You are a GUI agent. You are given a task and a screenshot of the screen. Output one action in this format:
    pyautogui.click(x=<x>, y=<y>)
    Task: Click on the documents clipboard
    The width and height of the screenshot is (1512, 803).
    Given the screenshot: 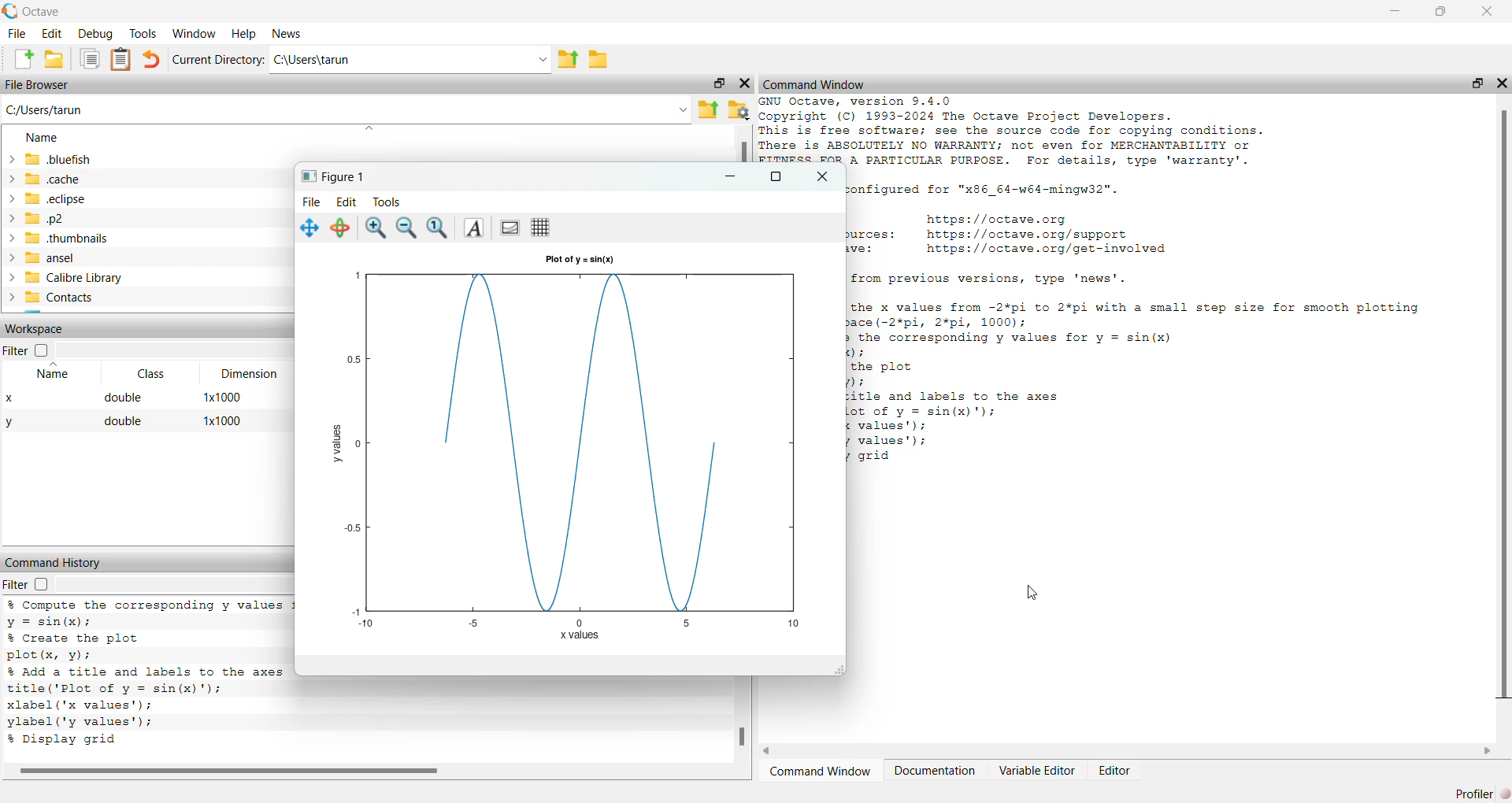 What is the action you would take?
    pyautogui.click(x=120, y=58)
    